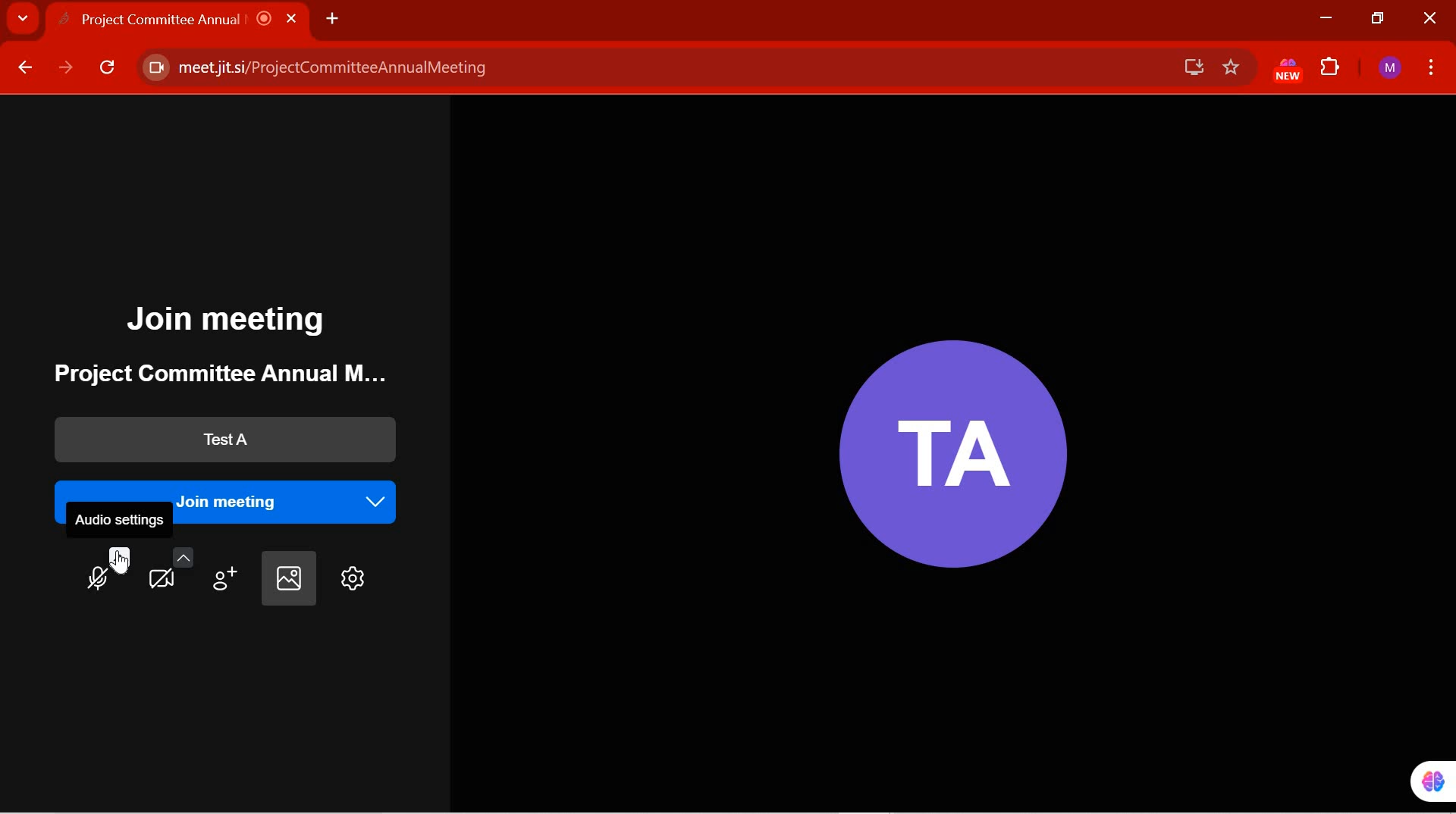  Describe the element at coordinates (1188, 67) in the screenshot. I see `save offline` at that location.